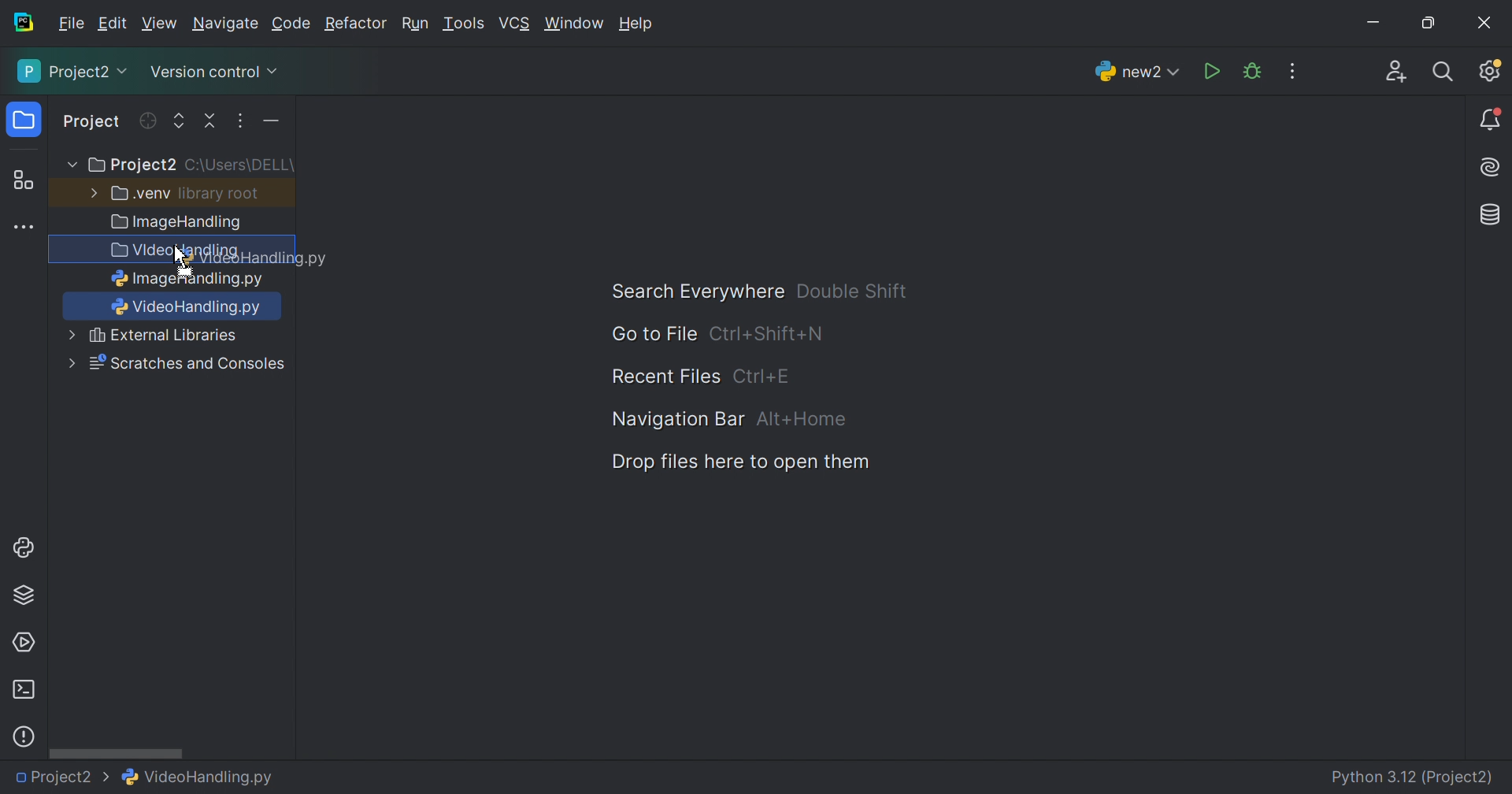 This screenshot has height=794, width=1512. What do you see at coordinates (267, 124) in the screenshot?
I see `More actions` at bounding box center [267, 124].